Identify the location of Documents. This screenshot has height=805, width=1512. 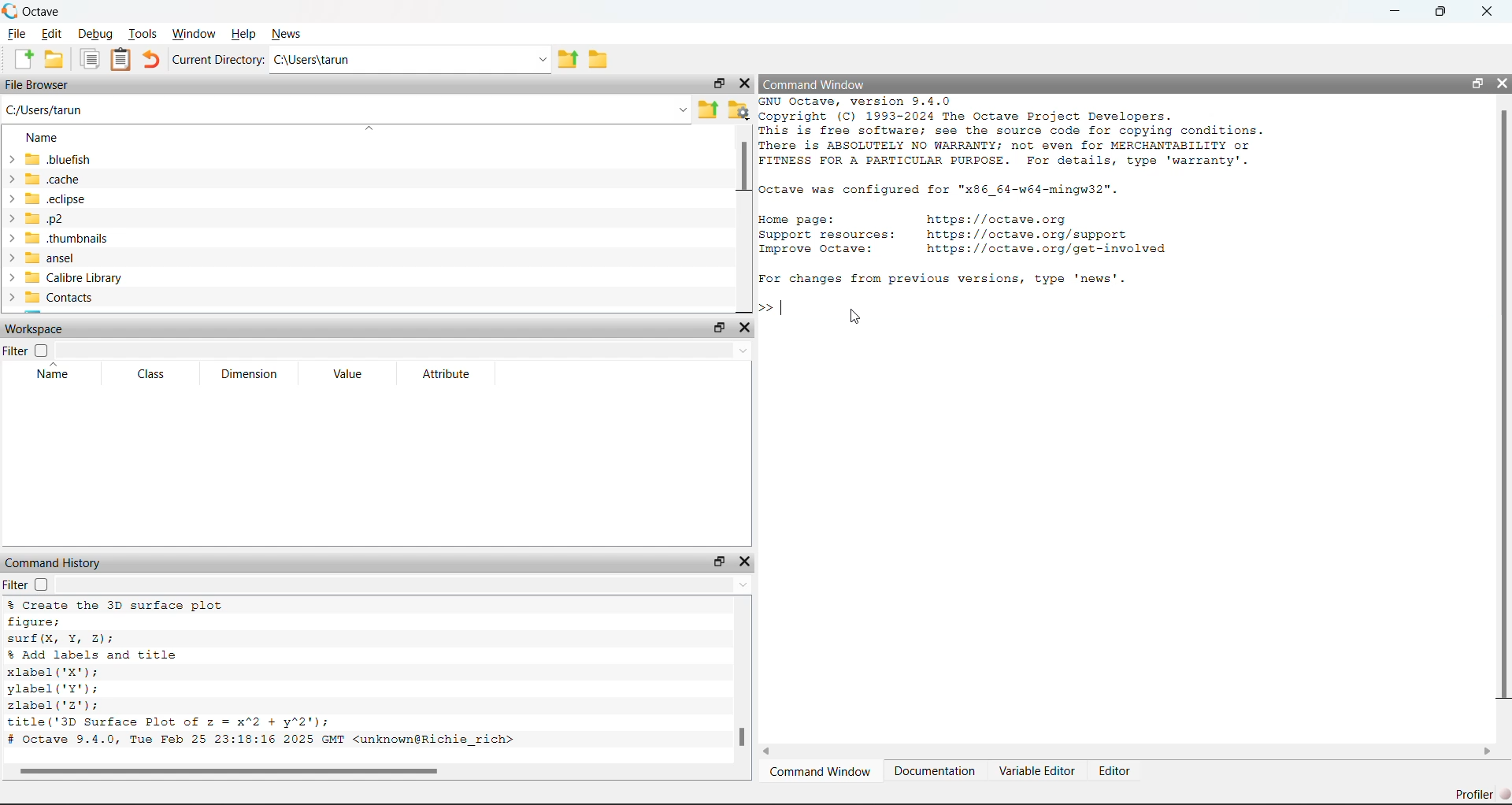
(91, 60).